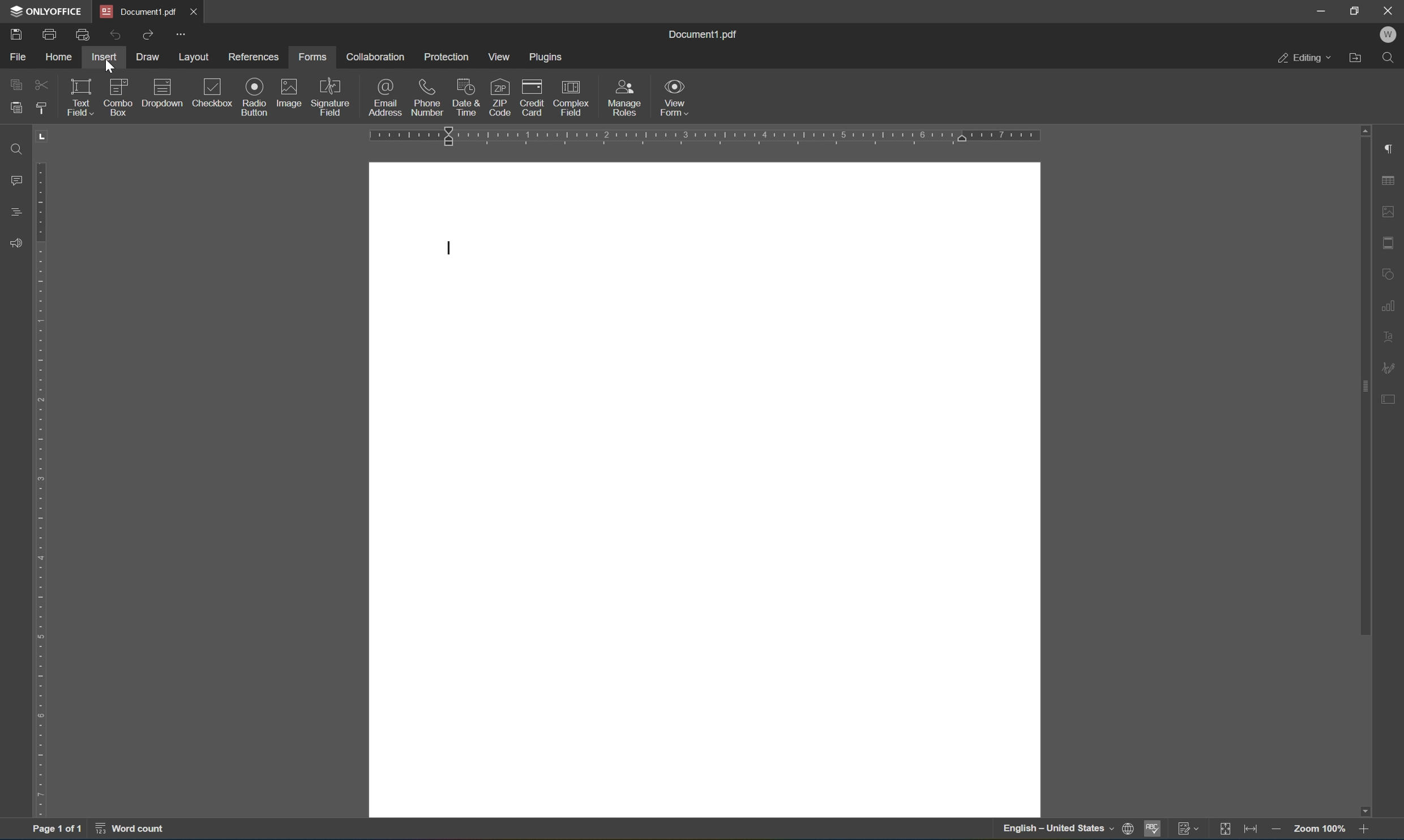  I want to click on layout, so click(196, 57).